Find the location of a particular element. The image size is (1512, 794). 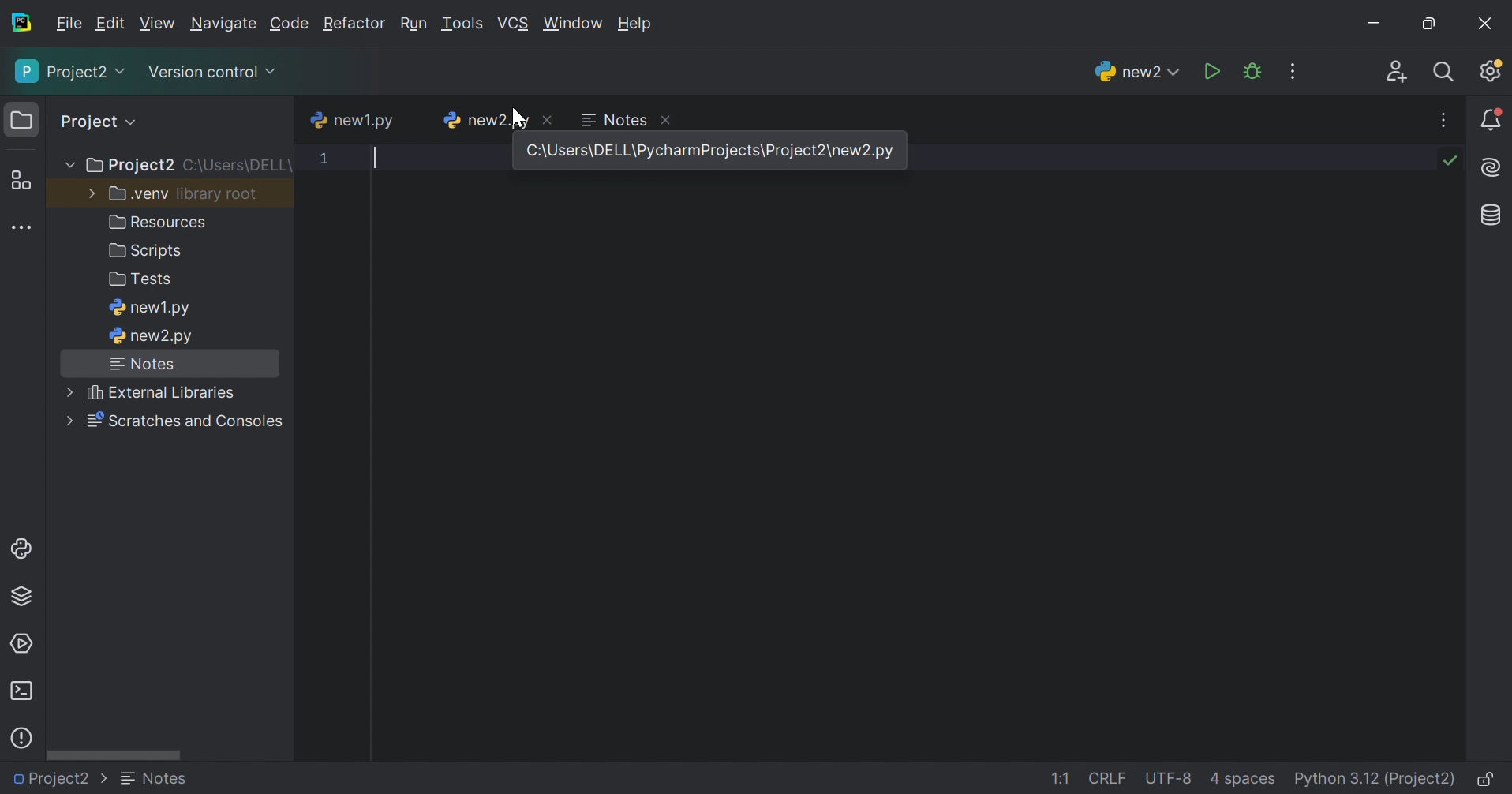

Window is located at coordinates (572, 24).